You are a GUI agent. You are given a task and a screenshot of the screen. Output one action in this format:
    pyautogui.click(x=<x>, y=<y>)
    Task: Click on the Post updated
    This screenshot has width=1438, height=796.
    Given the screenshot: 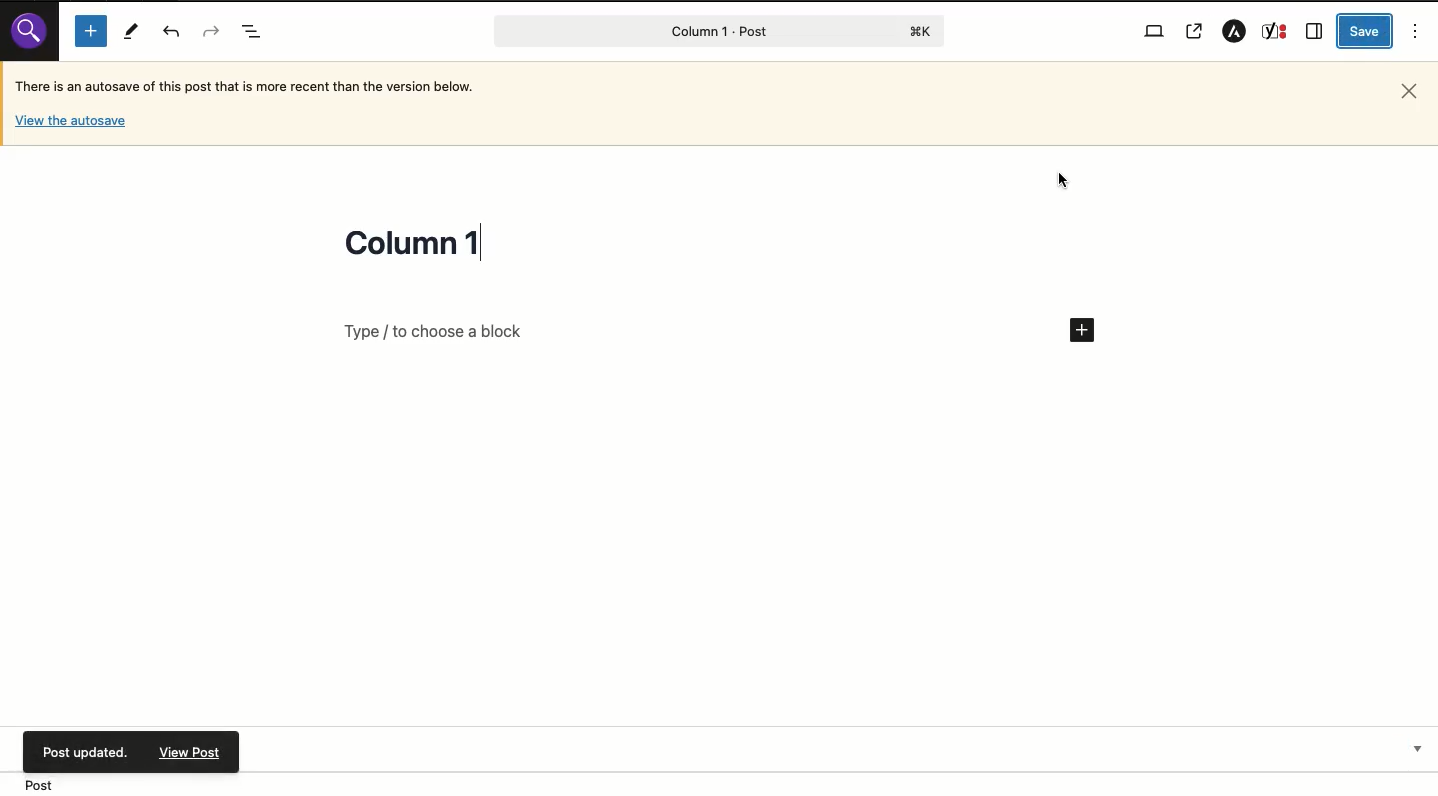 What is the action you would take?
    pyautogui.click(x=194, y=751)
    